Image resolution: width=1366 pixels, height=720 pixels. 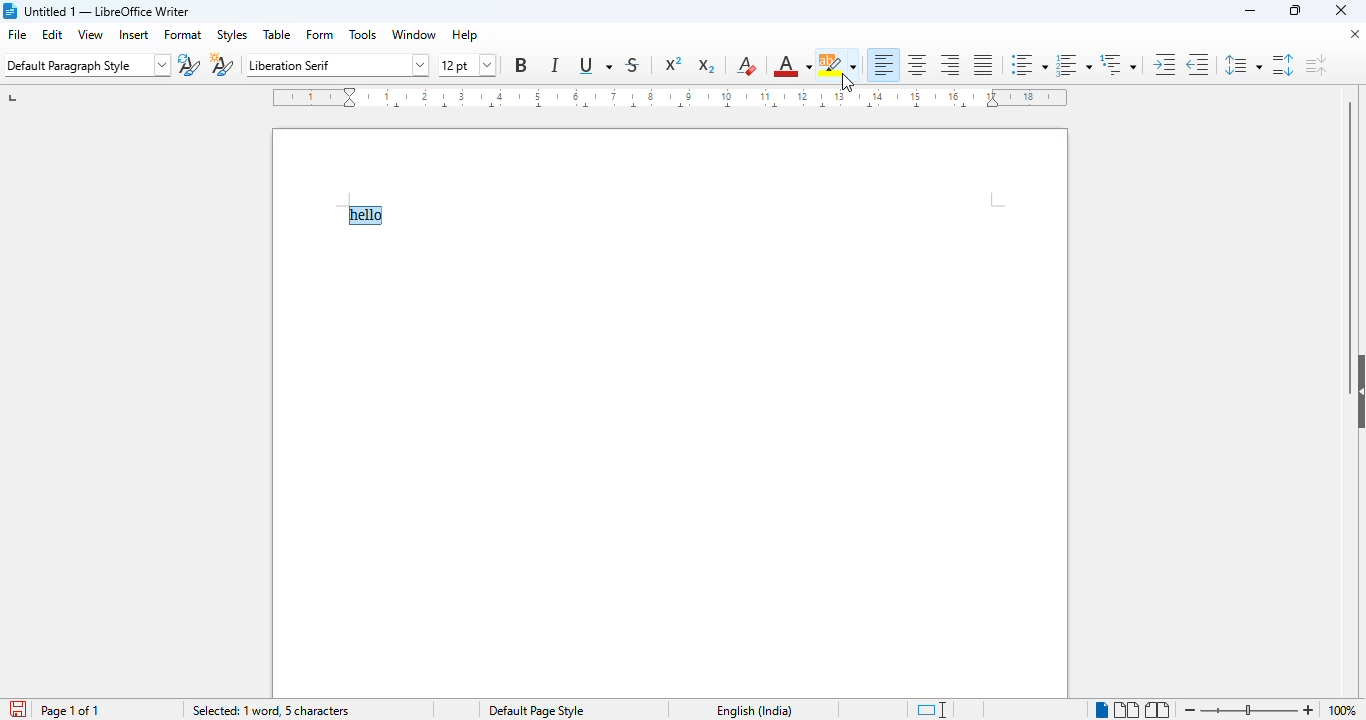 I want to click on close, so click(x=1342, y=9).